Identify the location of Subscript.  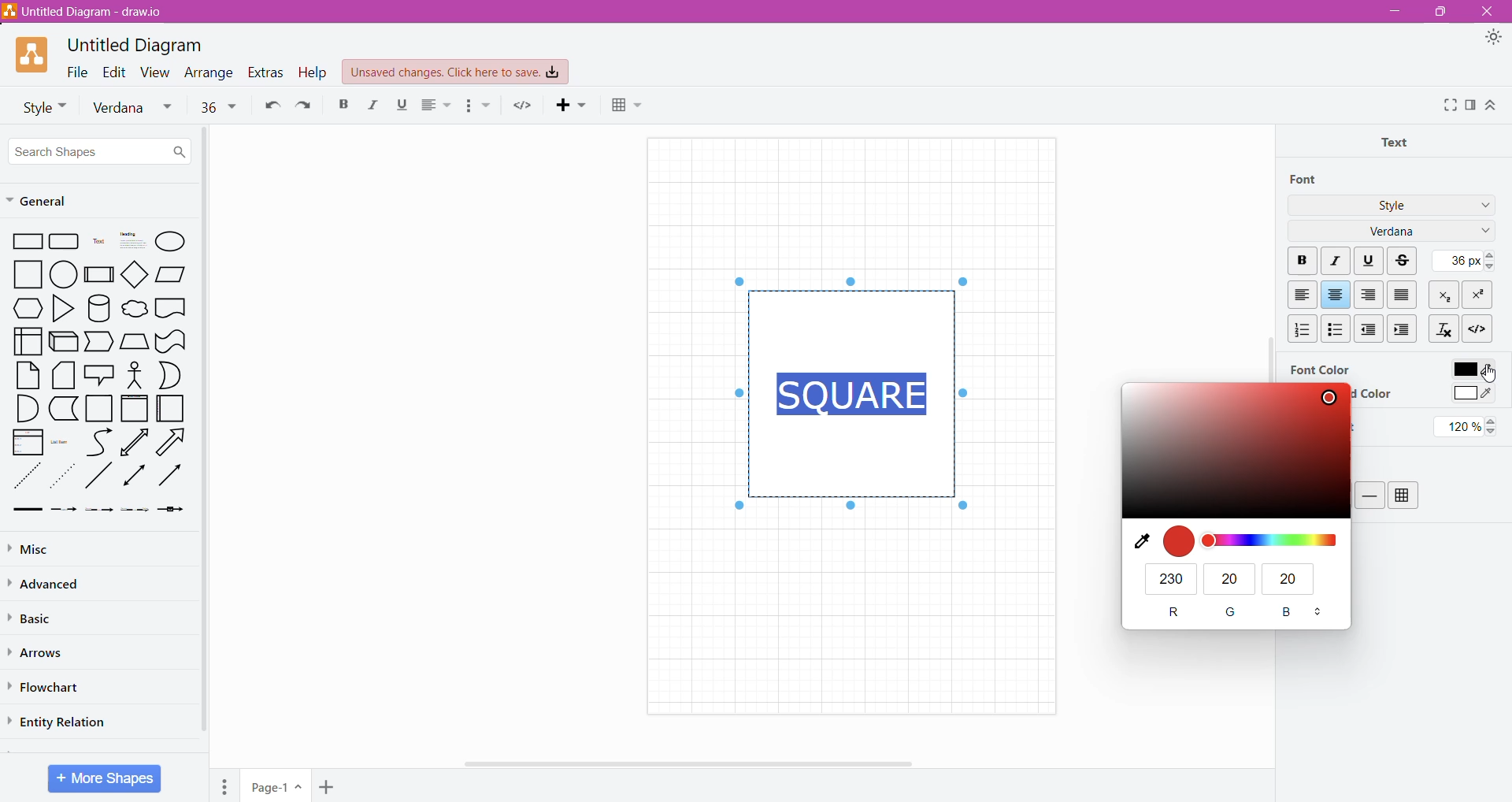
(1445, 294).